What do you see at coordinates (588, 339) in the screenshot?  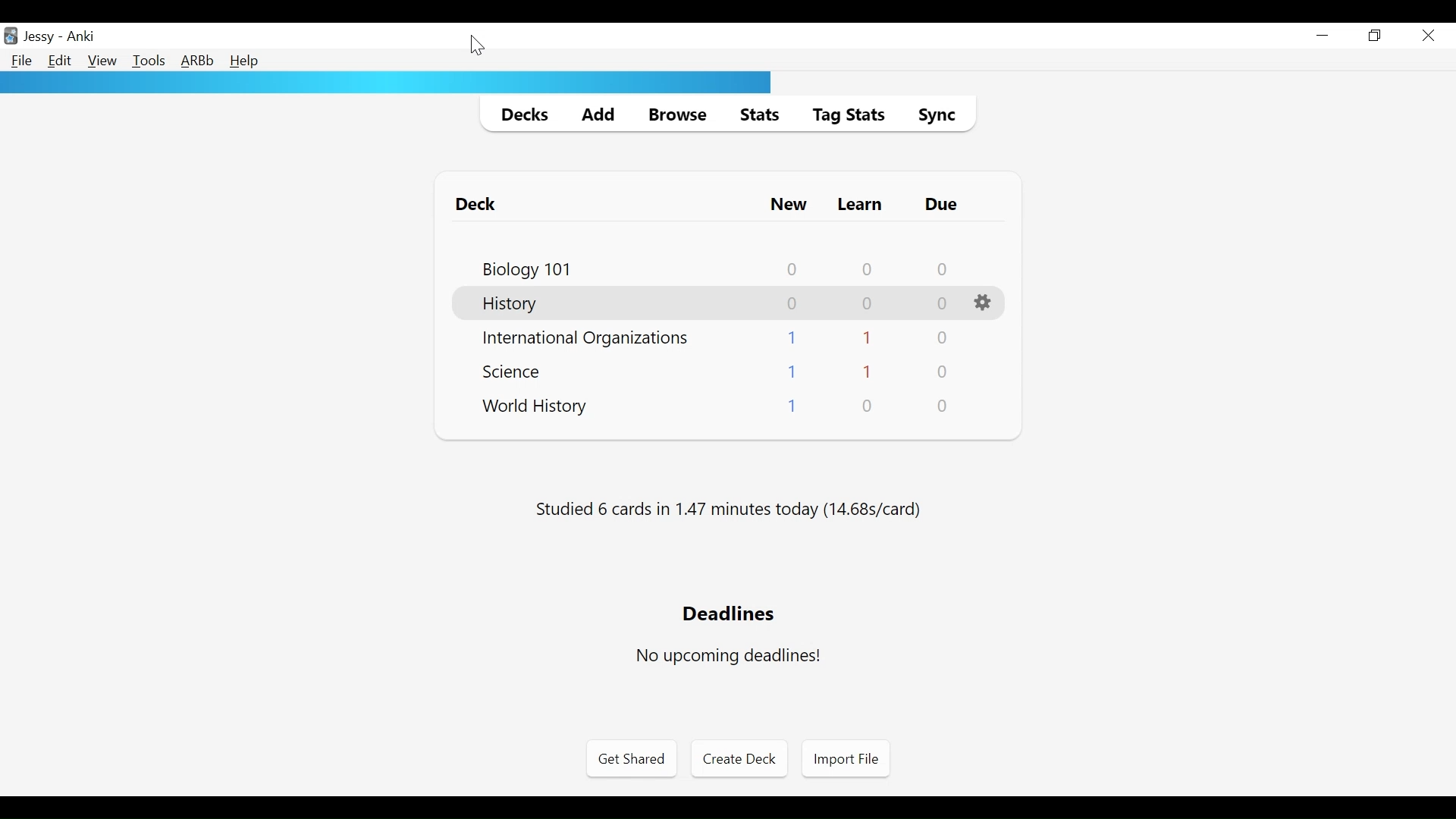 I see `Deck Name` at bounding box center [588, 339].